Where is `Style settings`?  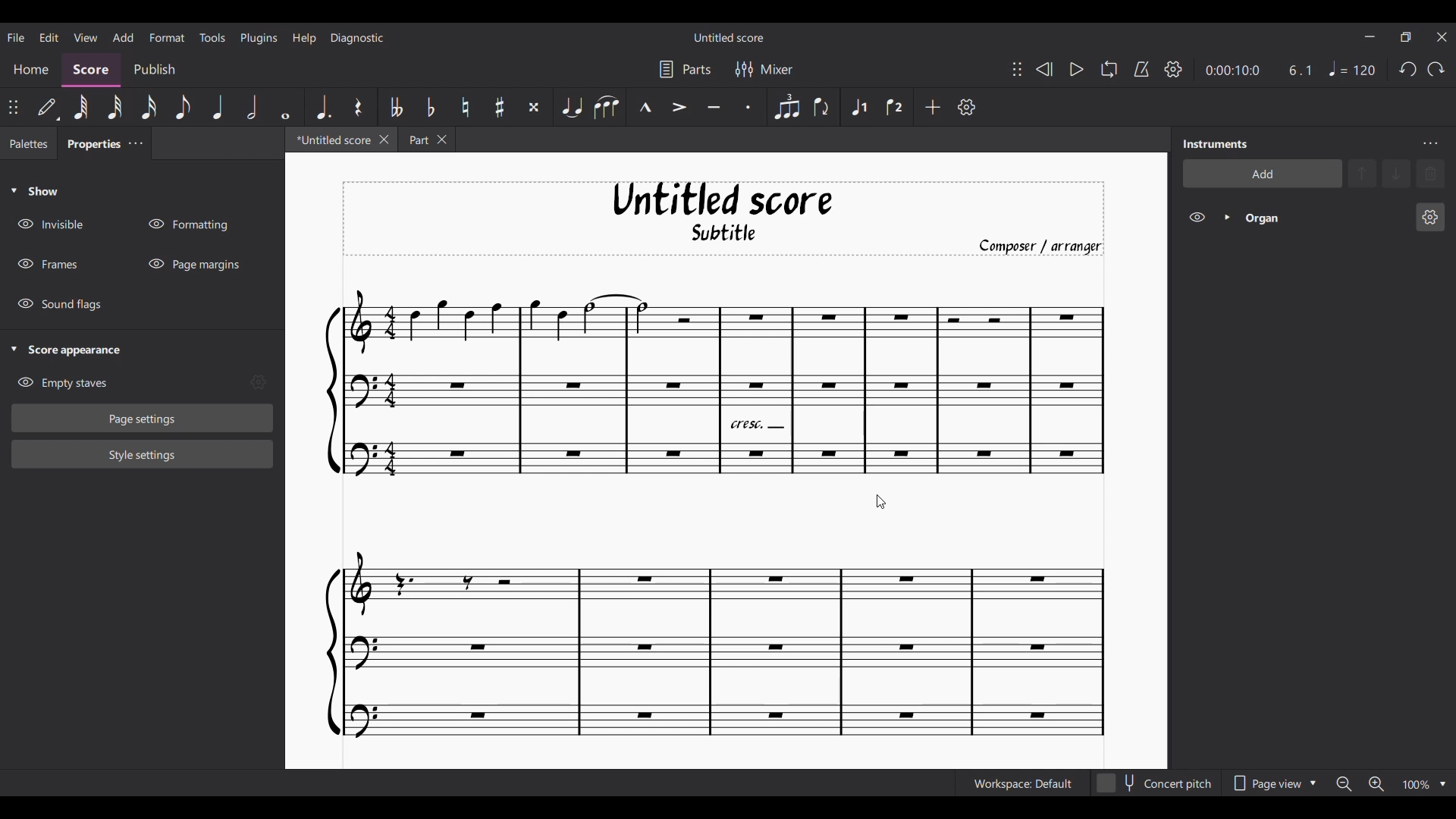 Style settings is located at coordinates (143, 455).